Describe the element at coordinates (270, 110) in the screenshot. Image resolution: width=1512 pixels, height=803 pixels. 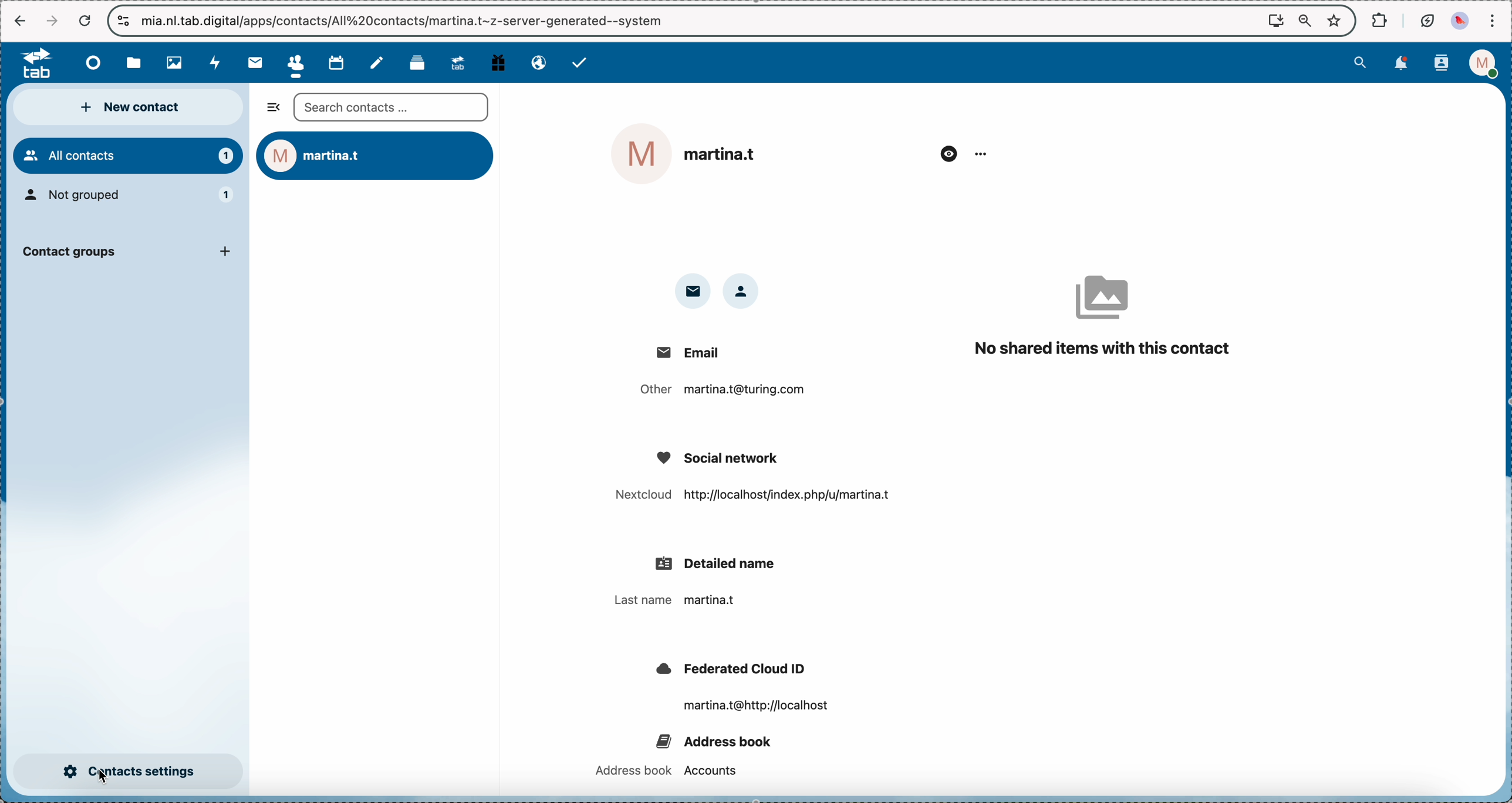
I see `hide sidebar` at that location.